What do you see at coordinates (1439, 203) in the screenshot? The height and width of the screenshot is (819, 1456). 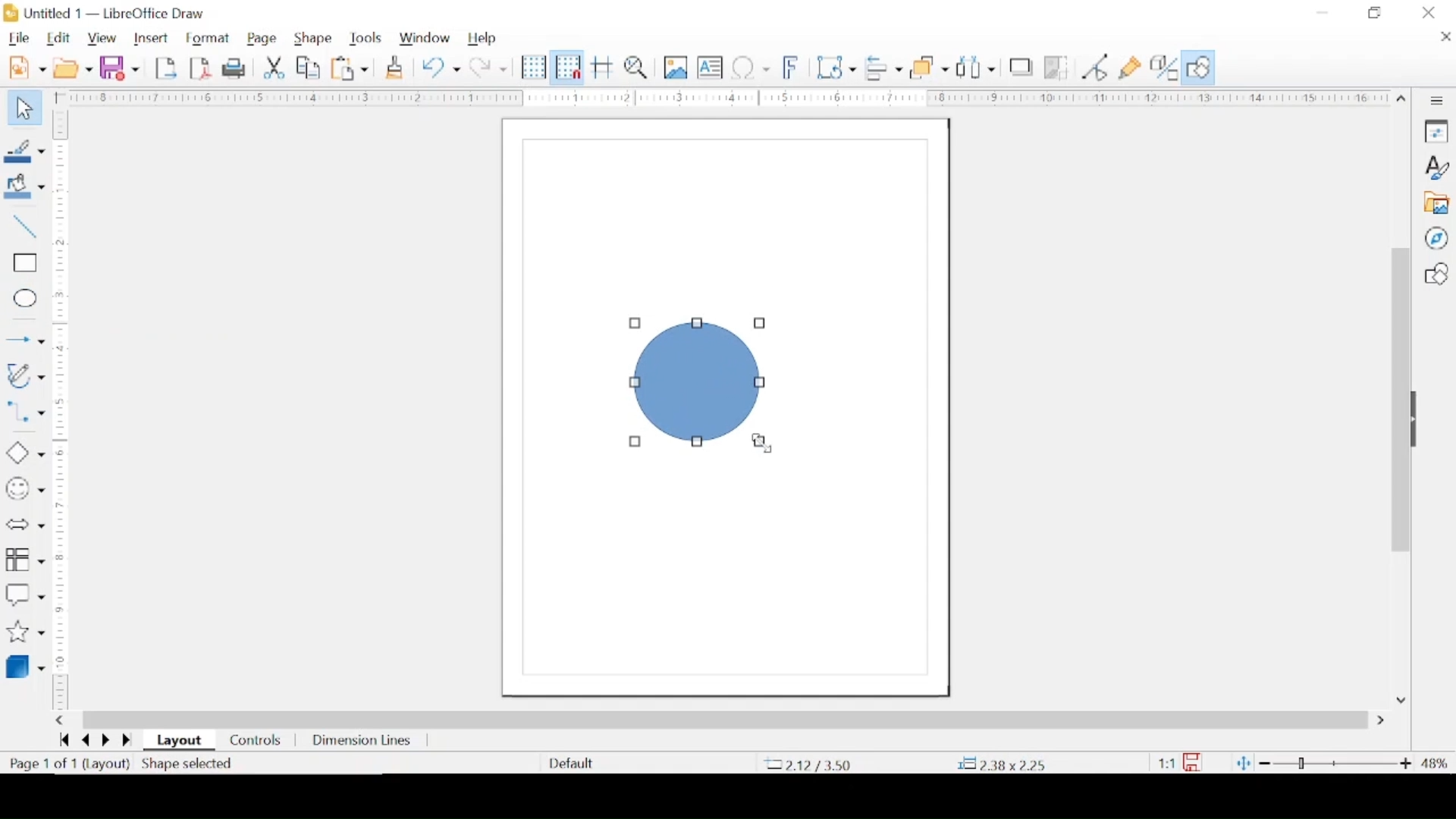 I see `gallery` at bounding box center [1439, 203].